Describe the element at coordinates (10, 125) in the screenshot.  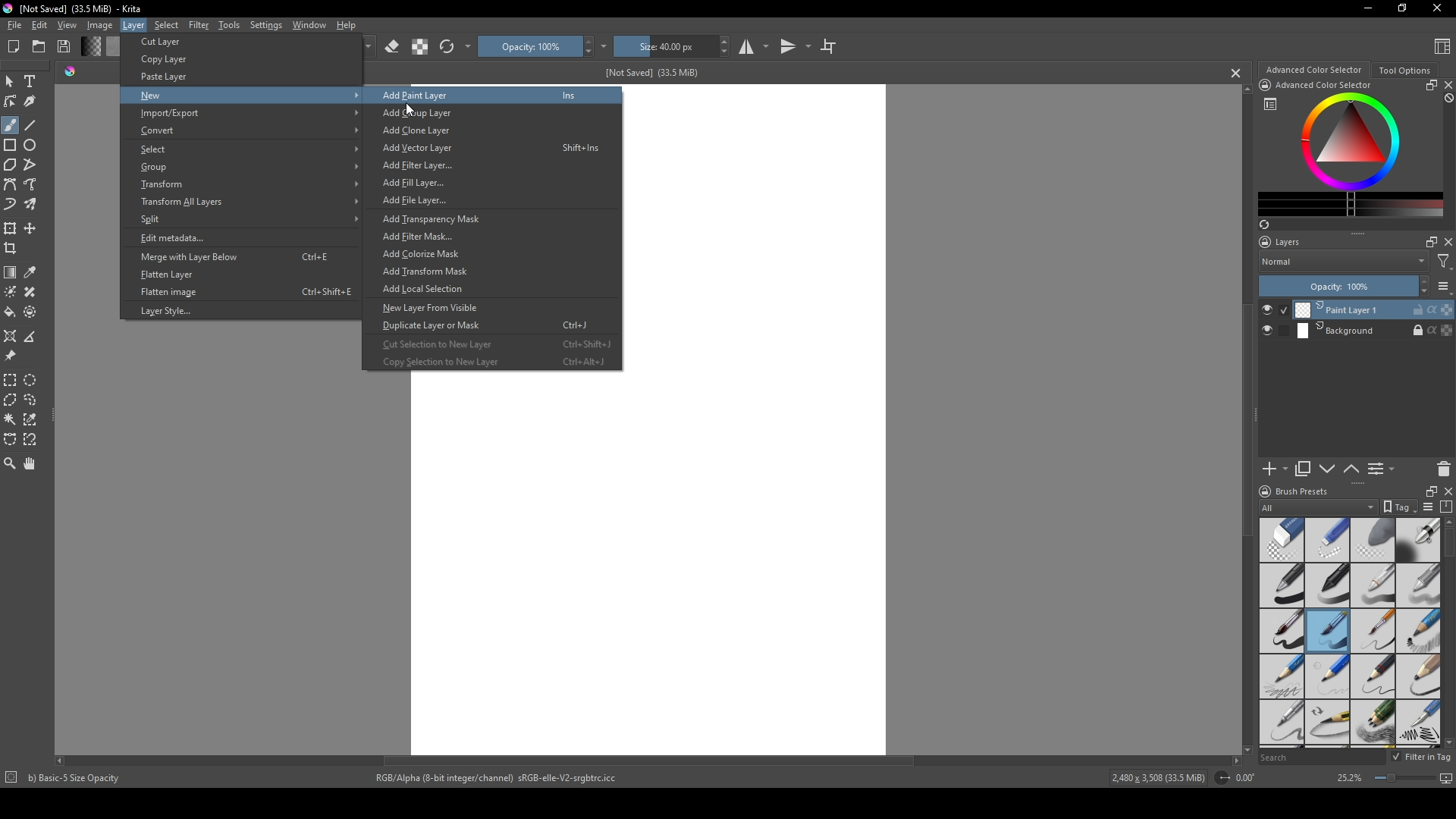
I see `brush` at that location.